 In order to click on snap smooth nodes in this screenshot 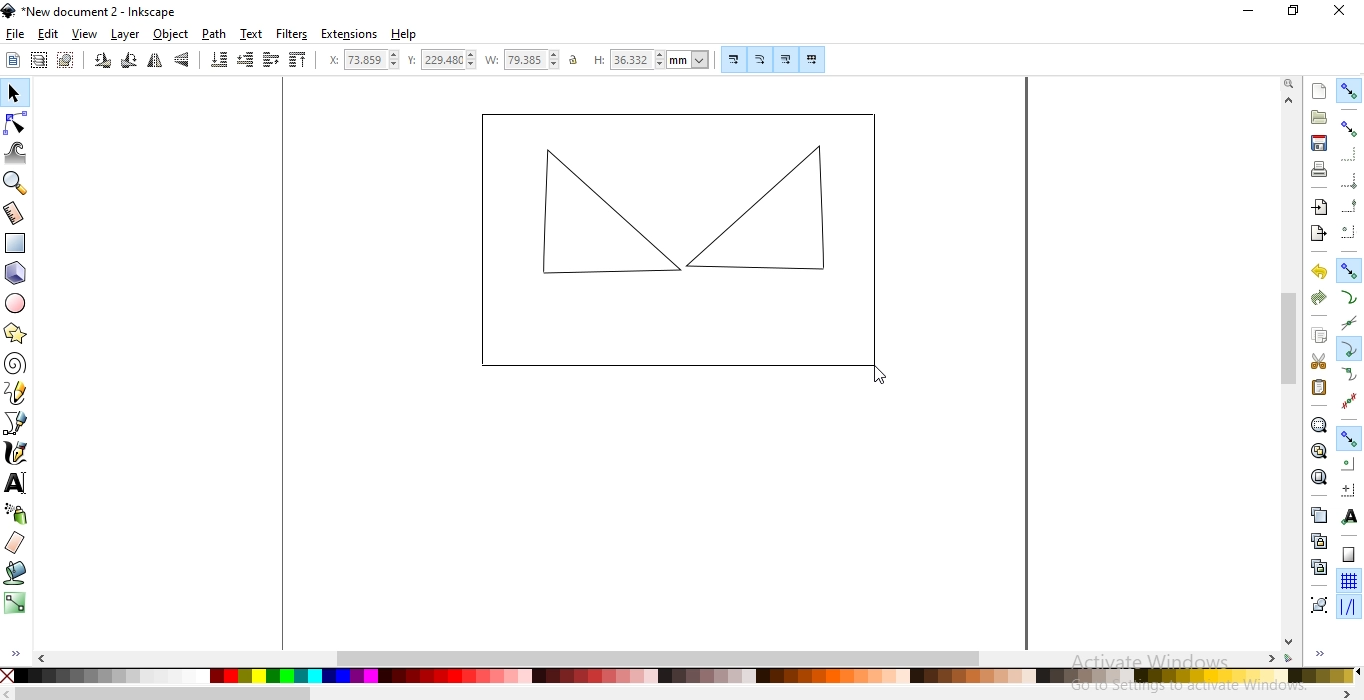, I will do `click(1351, 373)`.